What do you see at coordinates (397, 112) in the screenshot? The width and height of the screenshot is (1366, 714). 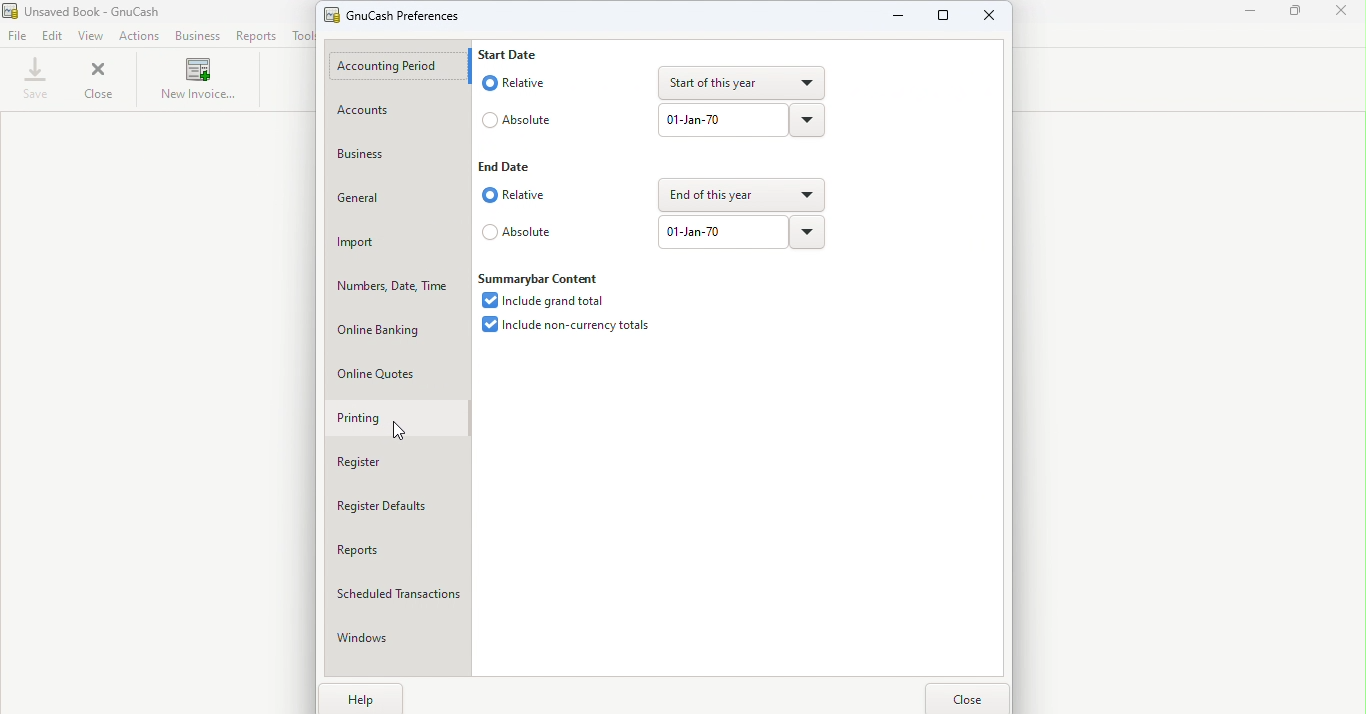 I see `Accounts` at bounding box center [397, 112].